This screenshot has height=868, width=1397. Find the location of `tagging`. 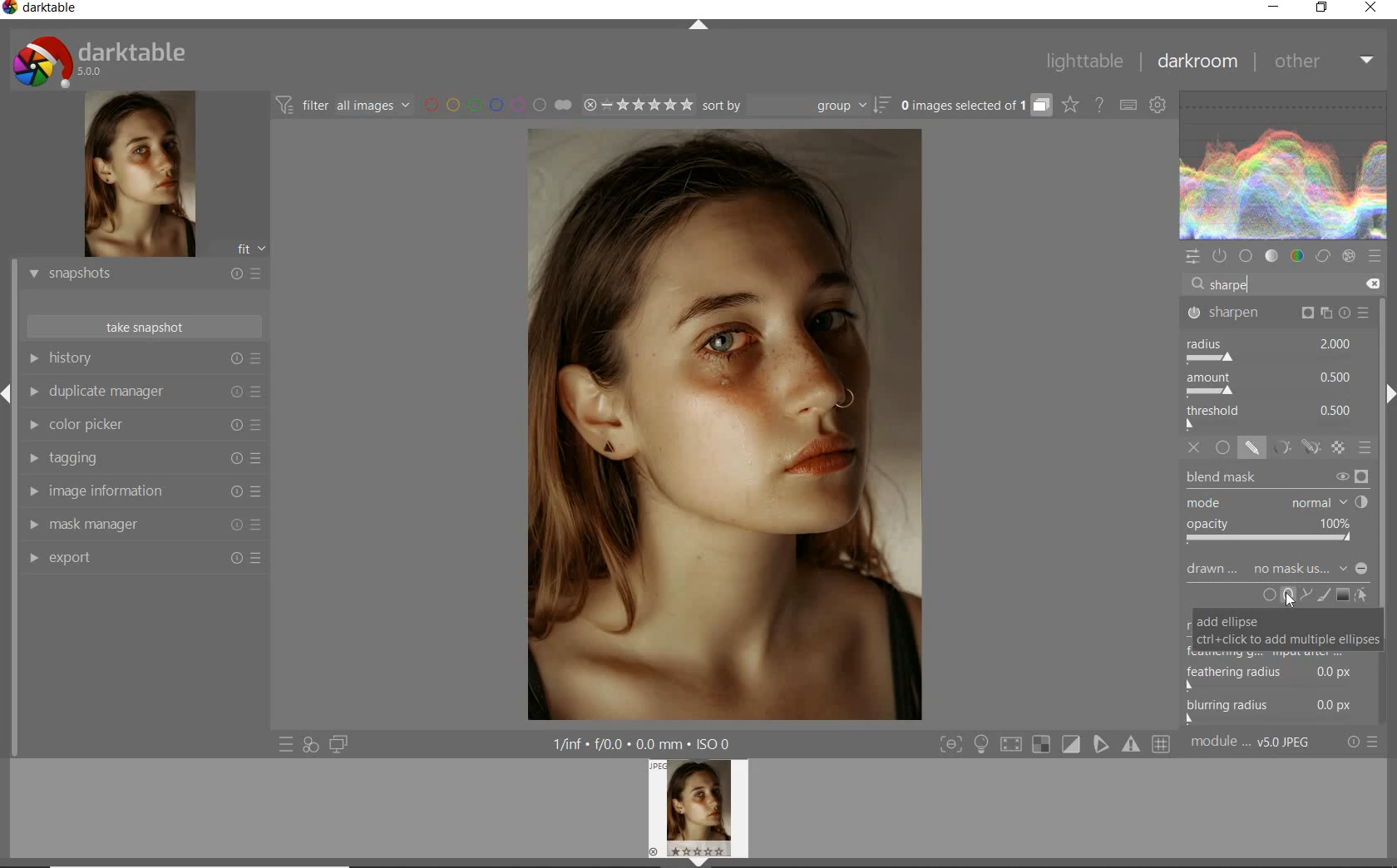

tagging is located at coordinates (141, 459).